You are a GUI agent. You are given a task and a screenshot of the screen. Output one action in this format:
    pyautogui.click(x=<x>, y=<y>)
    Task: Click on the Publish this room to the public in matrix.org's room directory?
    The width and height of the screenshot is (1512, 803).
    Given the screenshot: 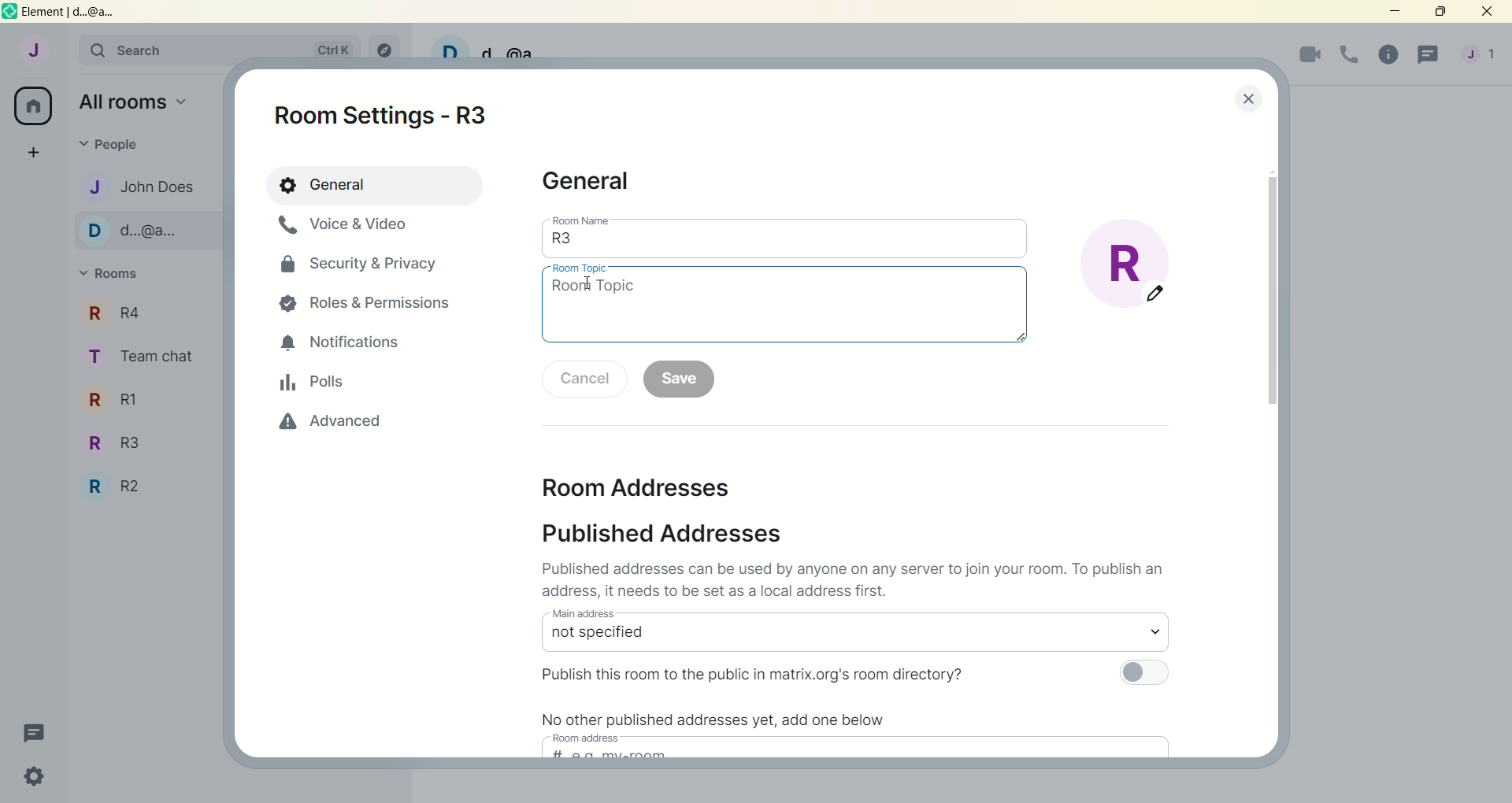 What is the action you would take?
    pyautogui.click(x=750, y=676)
    